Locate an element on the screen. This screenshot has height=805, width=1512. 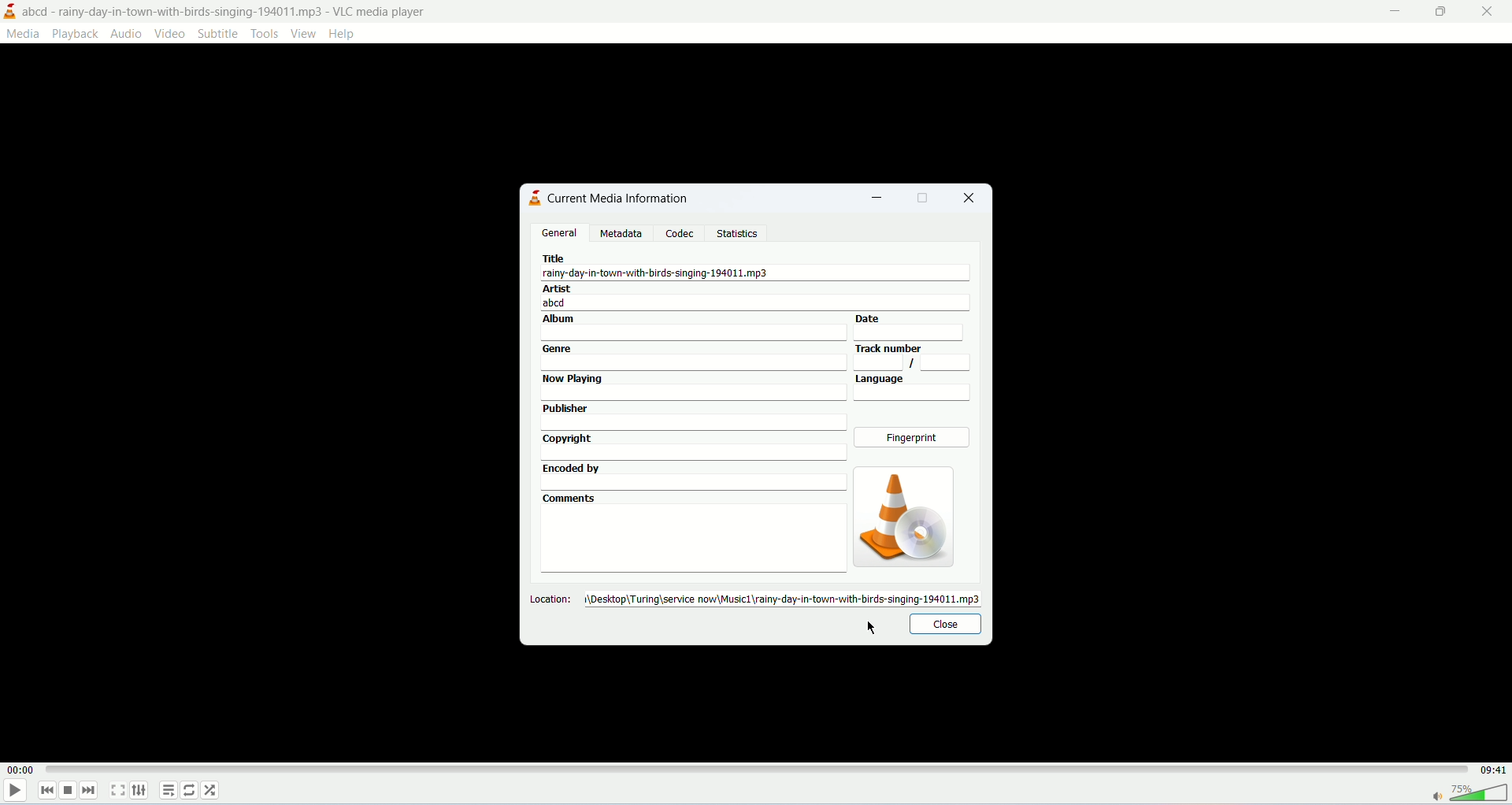
track number is located at coordinates (913, 357).